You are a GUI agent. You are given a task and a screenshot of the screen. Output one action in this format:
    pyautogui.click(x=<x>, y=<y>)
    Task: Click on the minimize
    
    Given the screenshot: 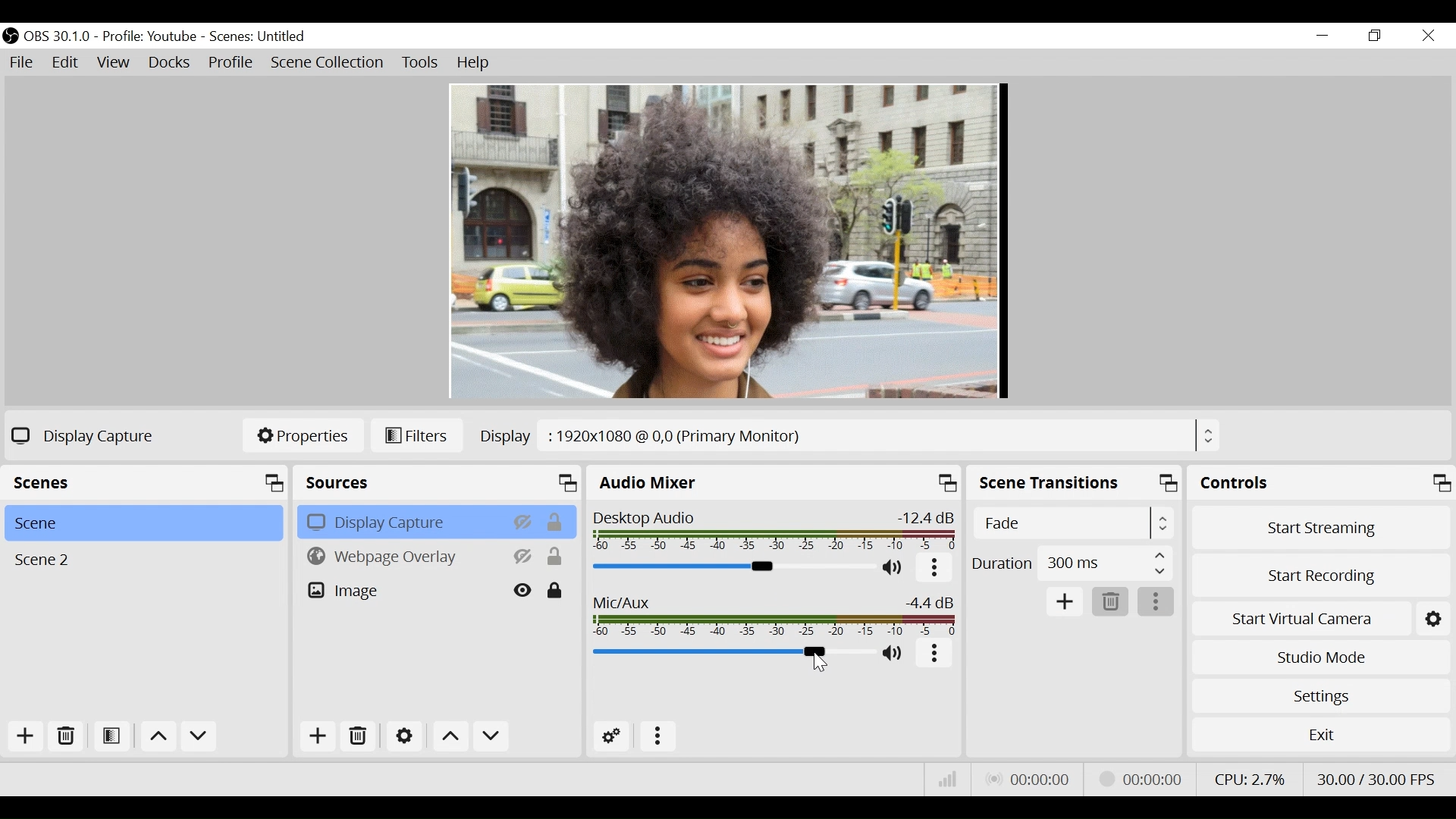 What is the action you would take?
    pyautogui.click(x=1323, y=35)
    